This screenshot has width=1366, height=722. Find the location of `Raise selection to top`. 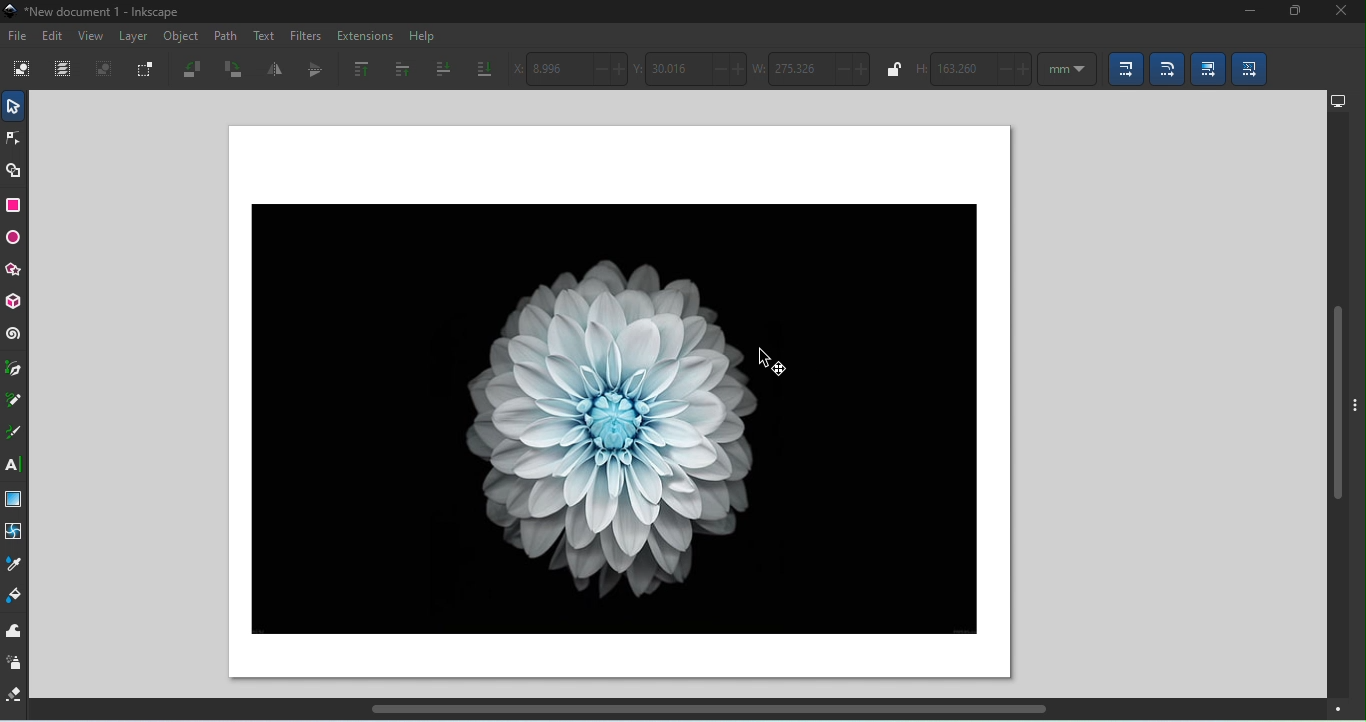

Raise selection to top is located at coordinates (356, 69).